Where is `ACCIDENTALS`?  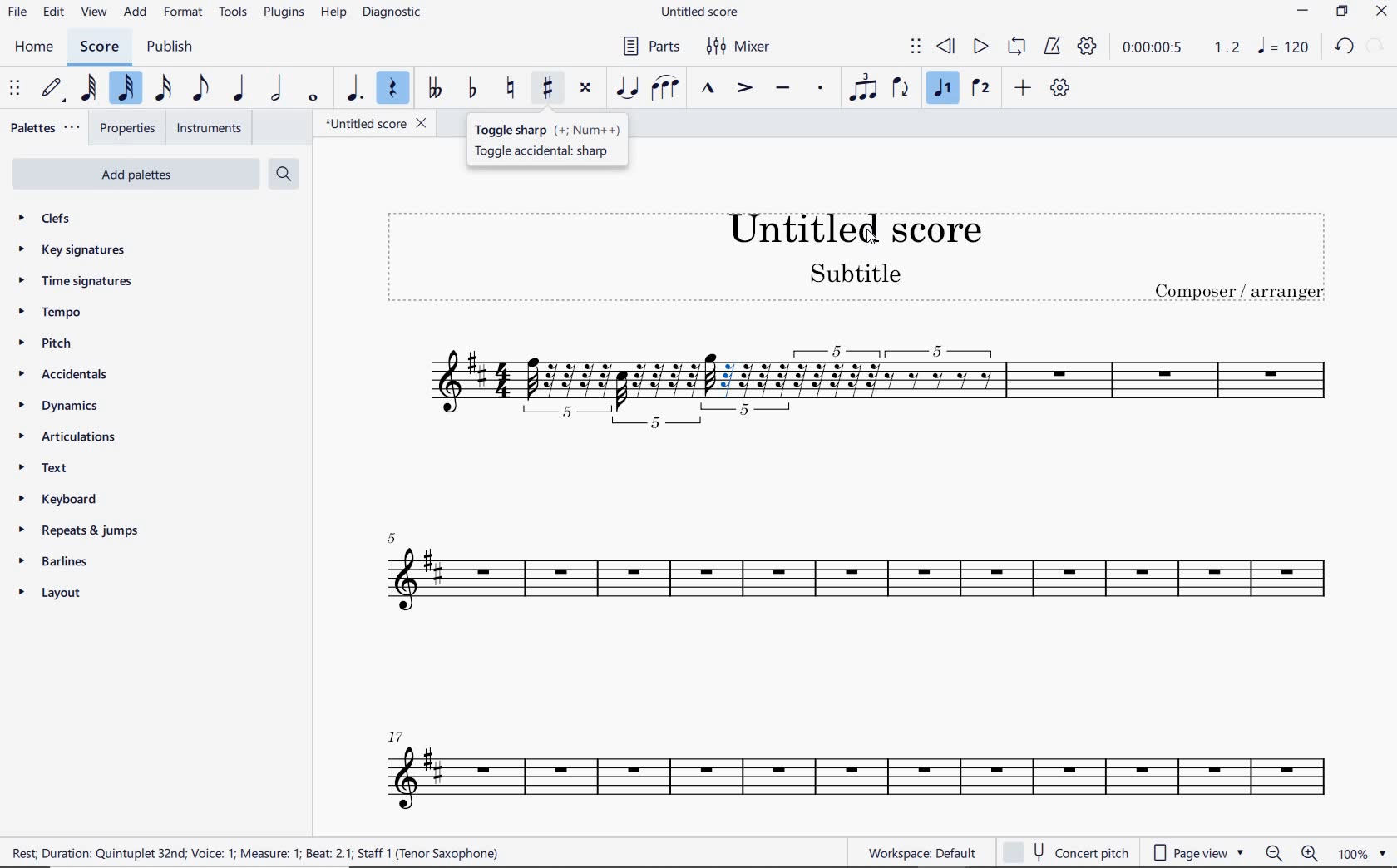
ACCIDENTALS is located at coordinates (74, 375).